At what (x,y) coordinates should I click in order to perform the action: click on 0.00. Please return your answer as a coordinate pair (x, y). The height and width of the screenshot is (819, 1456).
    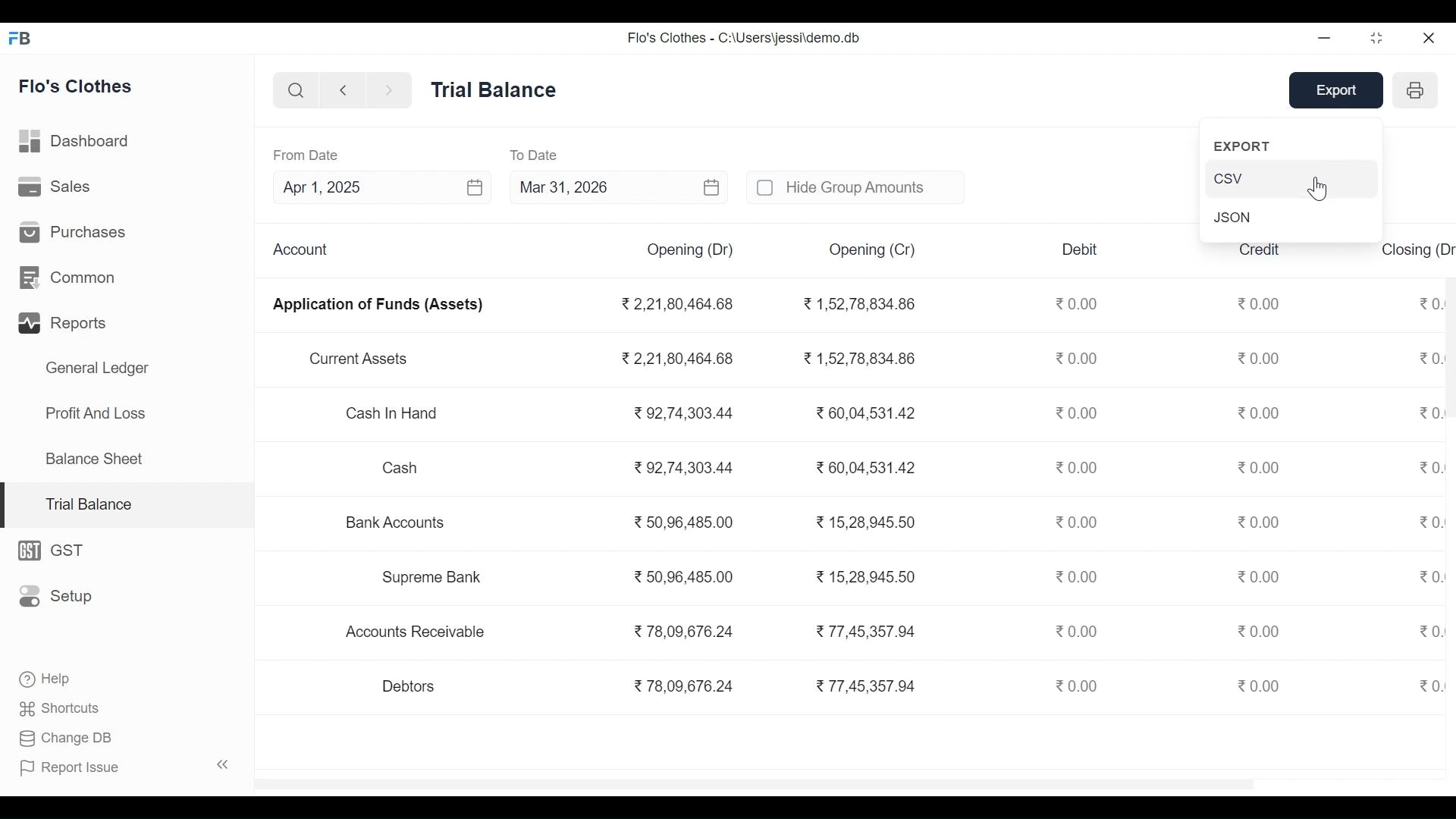
    Looking at the image, I should click on (1431, 630).